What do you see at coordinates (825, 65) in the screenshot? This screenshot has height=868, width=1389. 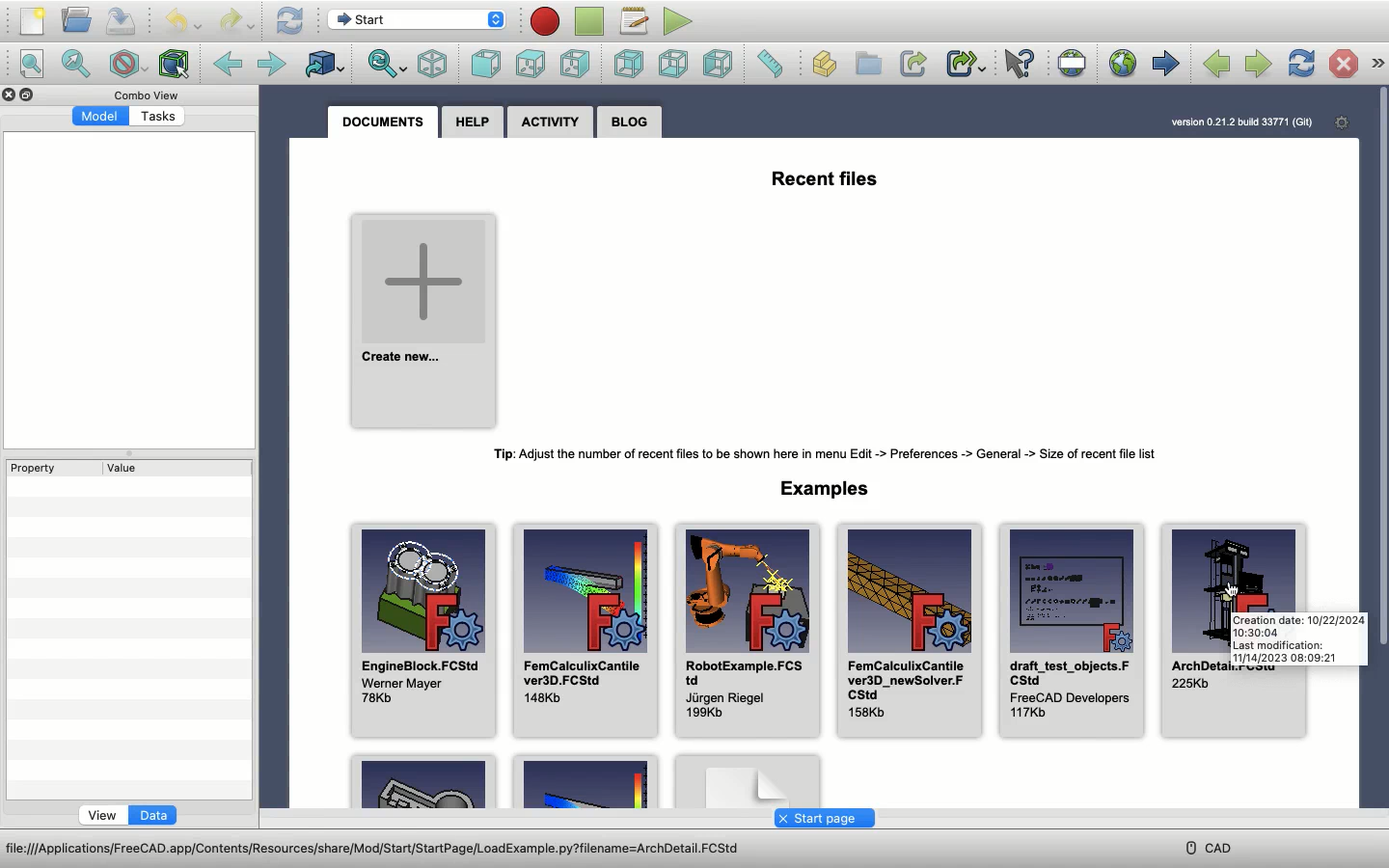 I see `Create part` at bounding box center [825, 65].